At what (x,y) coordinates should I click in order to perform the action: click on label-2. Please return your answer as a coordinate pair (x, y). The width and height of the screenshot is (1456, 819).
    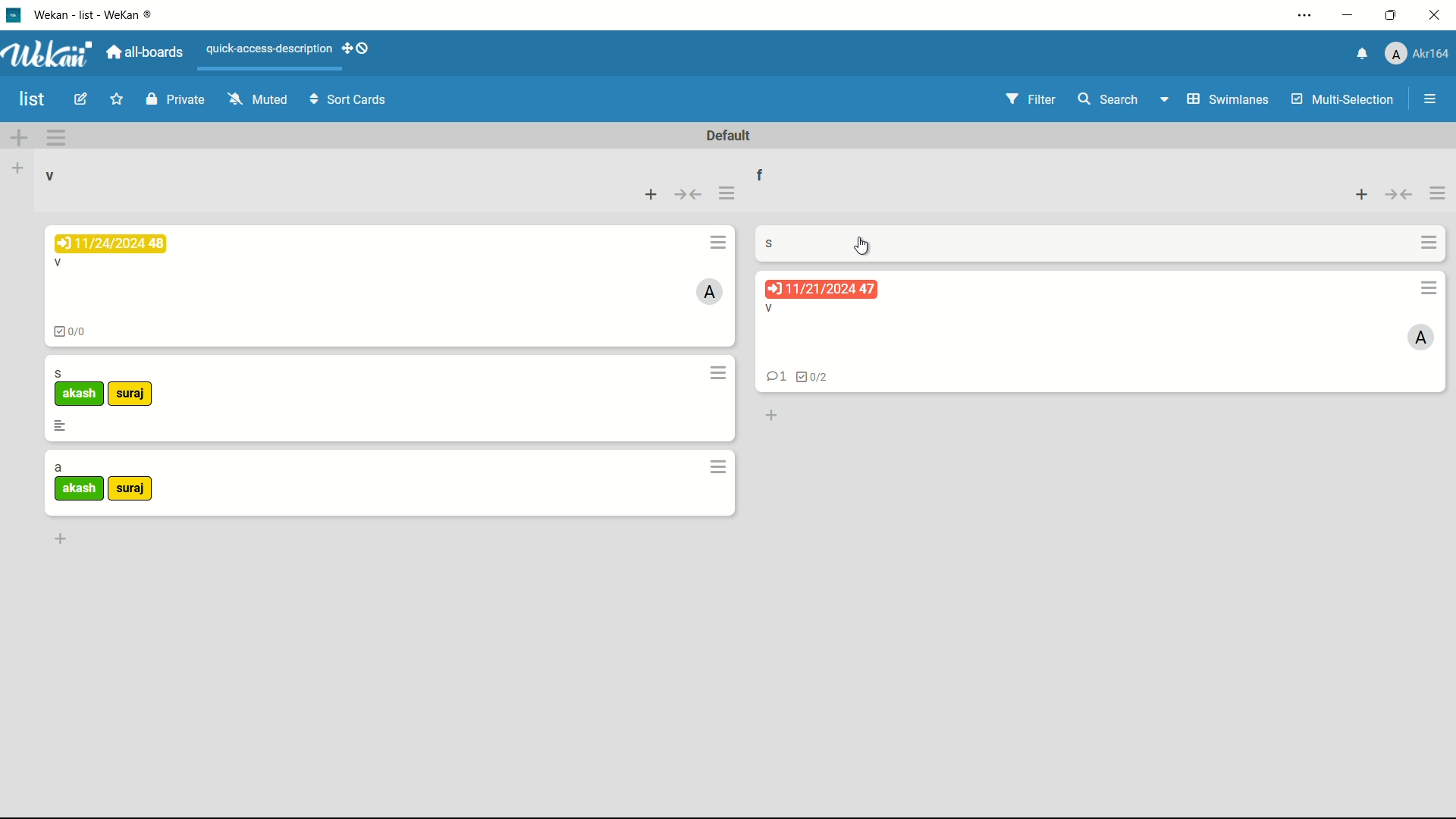
    Looking at the image, I should click on (131, 394).